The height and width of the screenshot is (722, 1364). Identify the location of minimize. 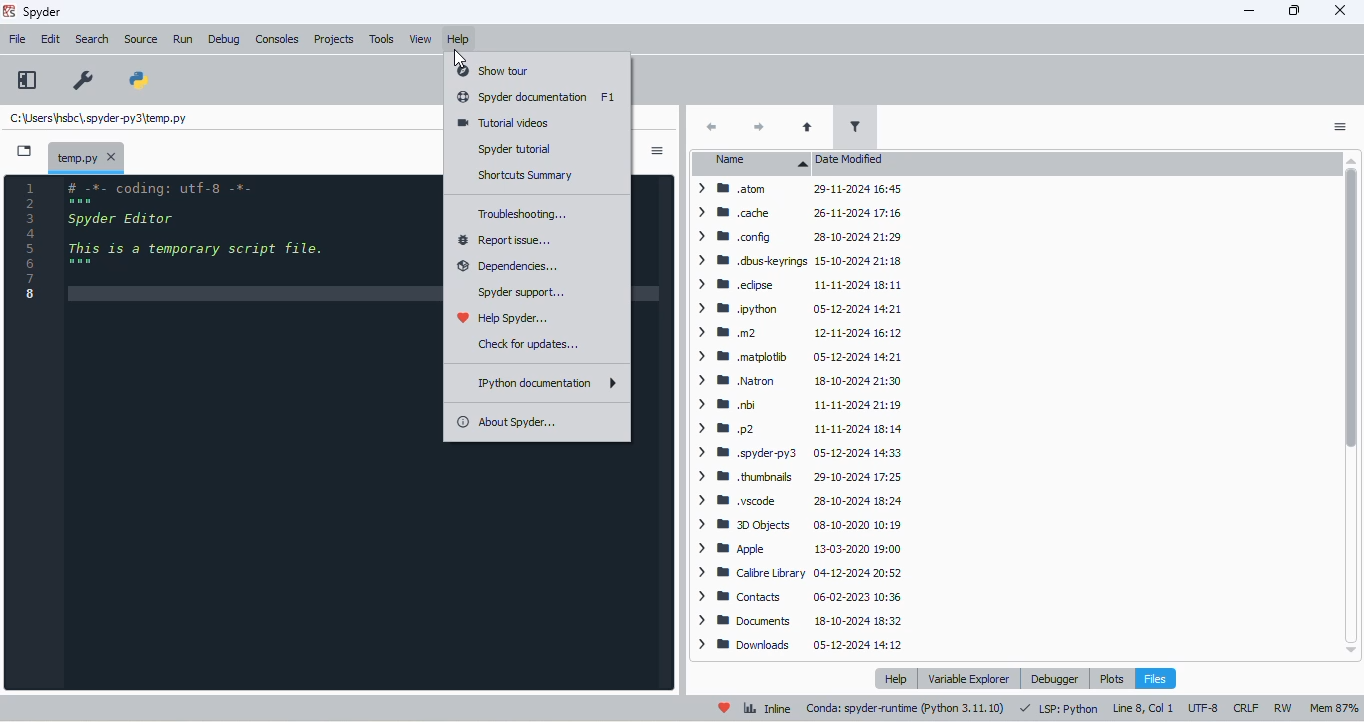
(1251, 9).